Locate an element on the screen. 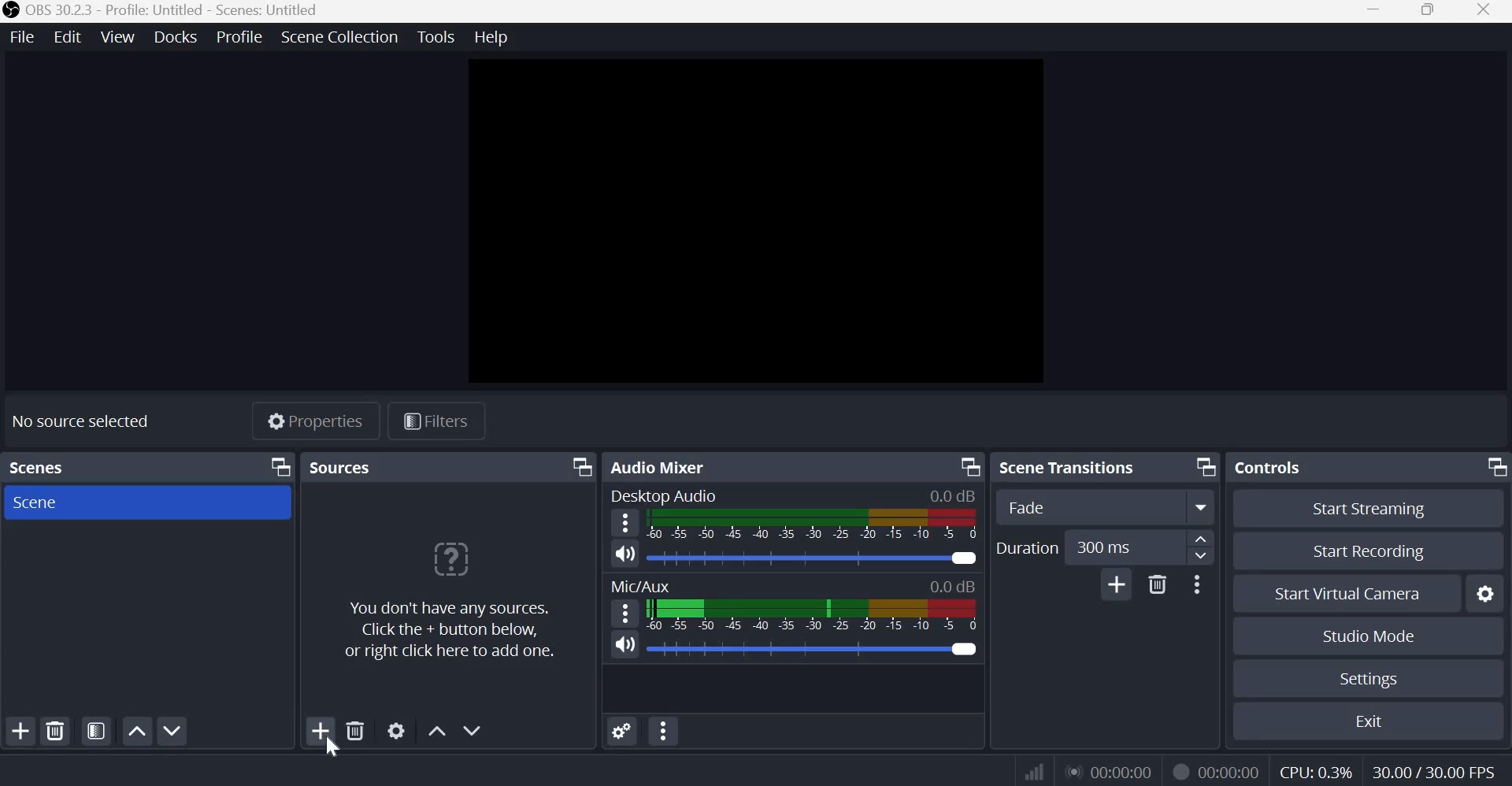 Image resolution: width=1512 pixels, height=786 pixels. Controls is located at coordinates (1272, 465).